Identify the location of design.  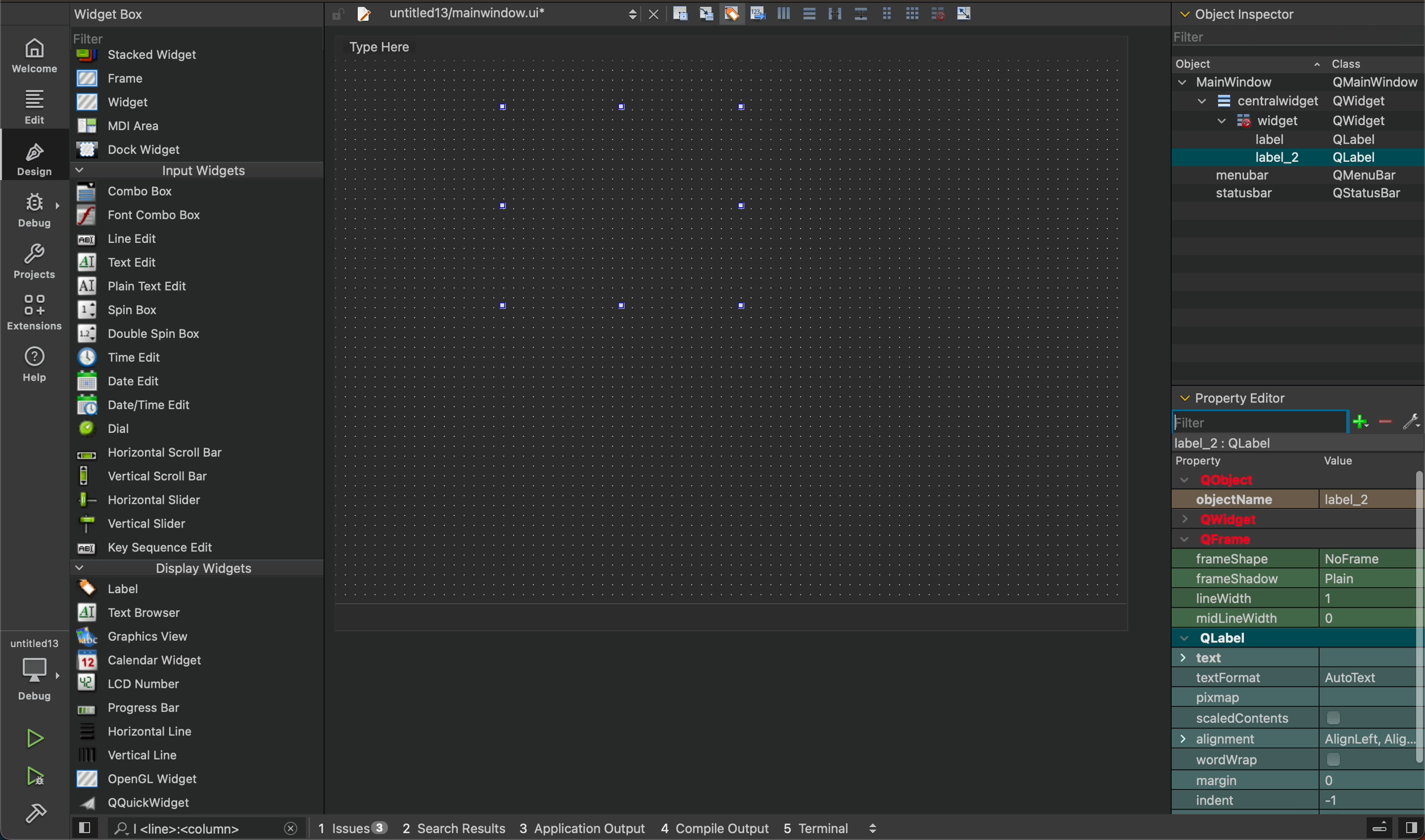
(33, 156).